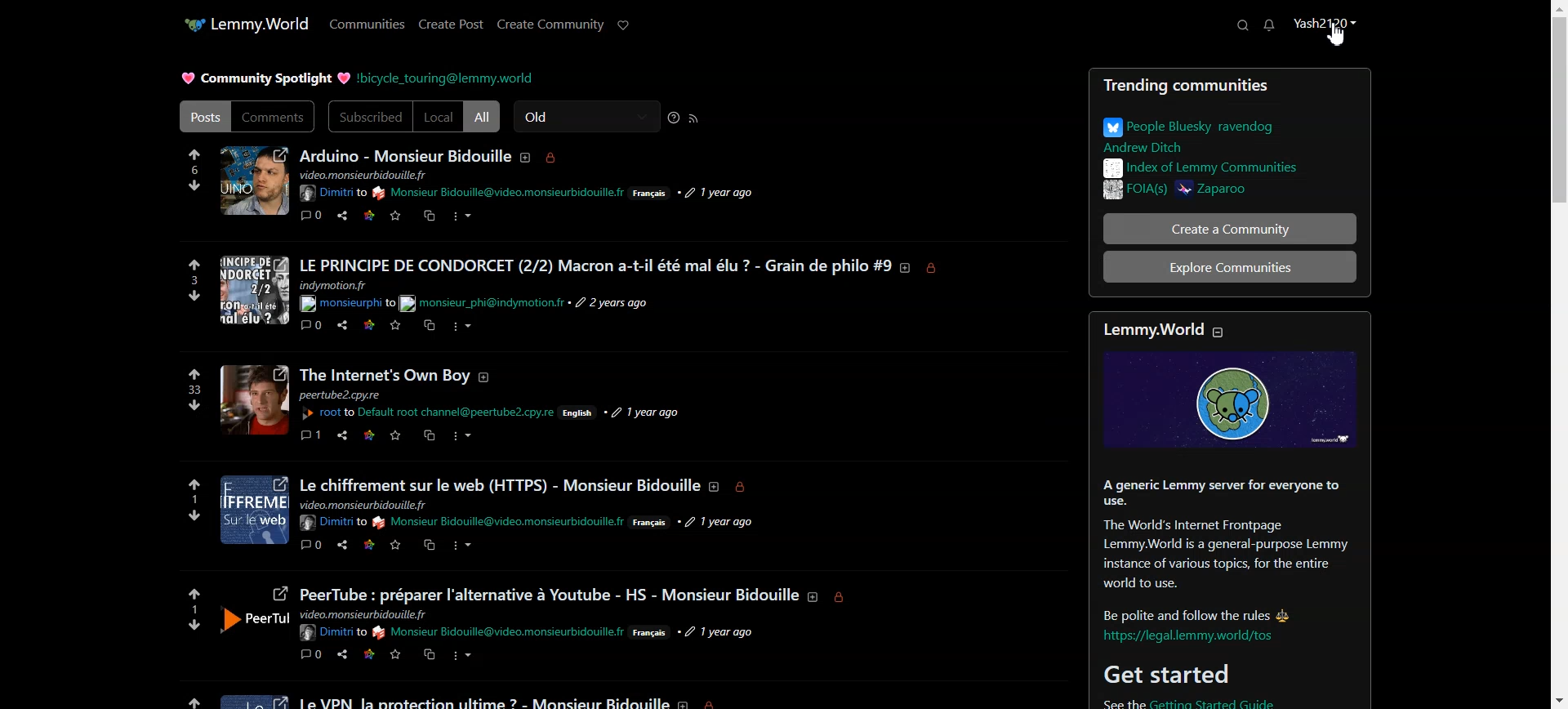 The image size is (1568, 709). What do you see at coordinates (194, 589) in the screenshot?
I see `upvotes` at bounding box center [194, 589].